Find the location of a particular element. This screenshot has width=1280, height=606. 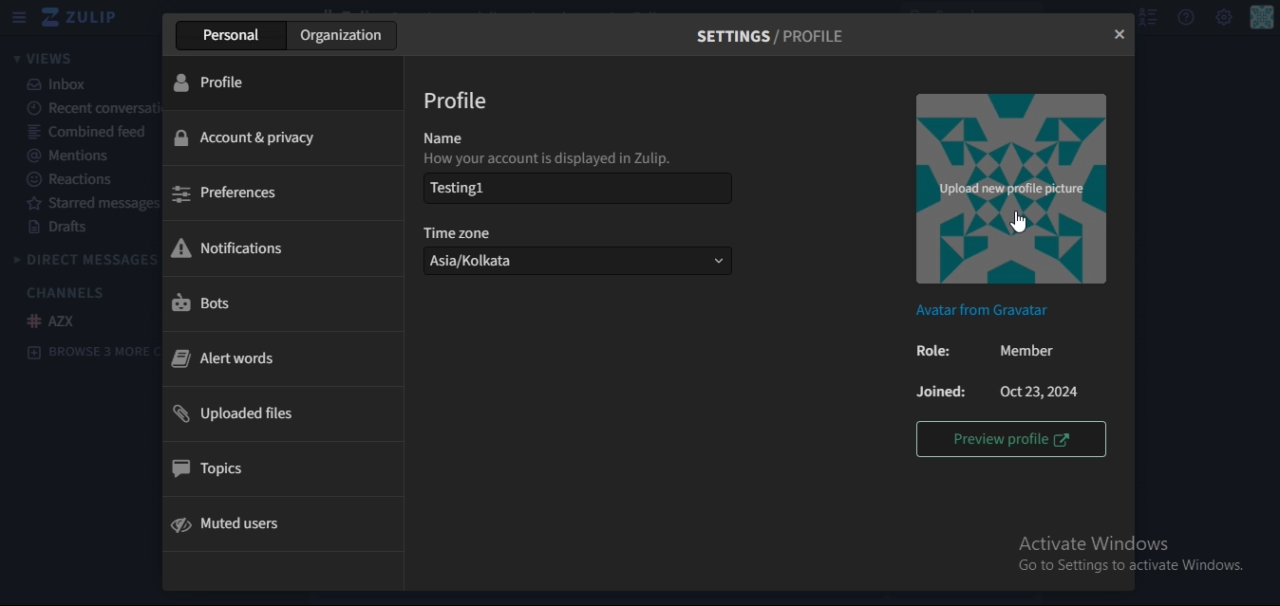

preferences is located at coordinates (225, 194).